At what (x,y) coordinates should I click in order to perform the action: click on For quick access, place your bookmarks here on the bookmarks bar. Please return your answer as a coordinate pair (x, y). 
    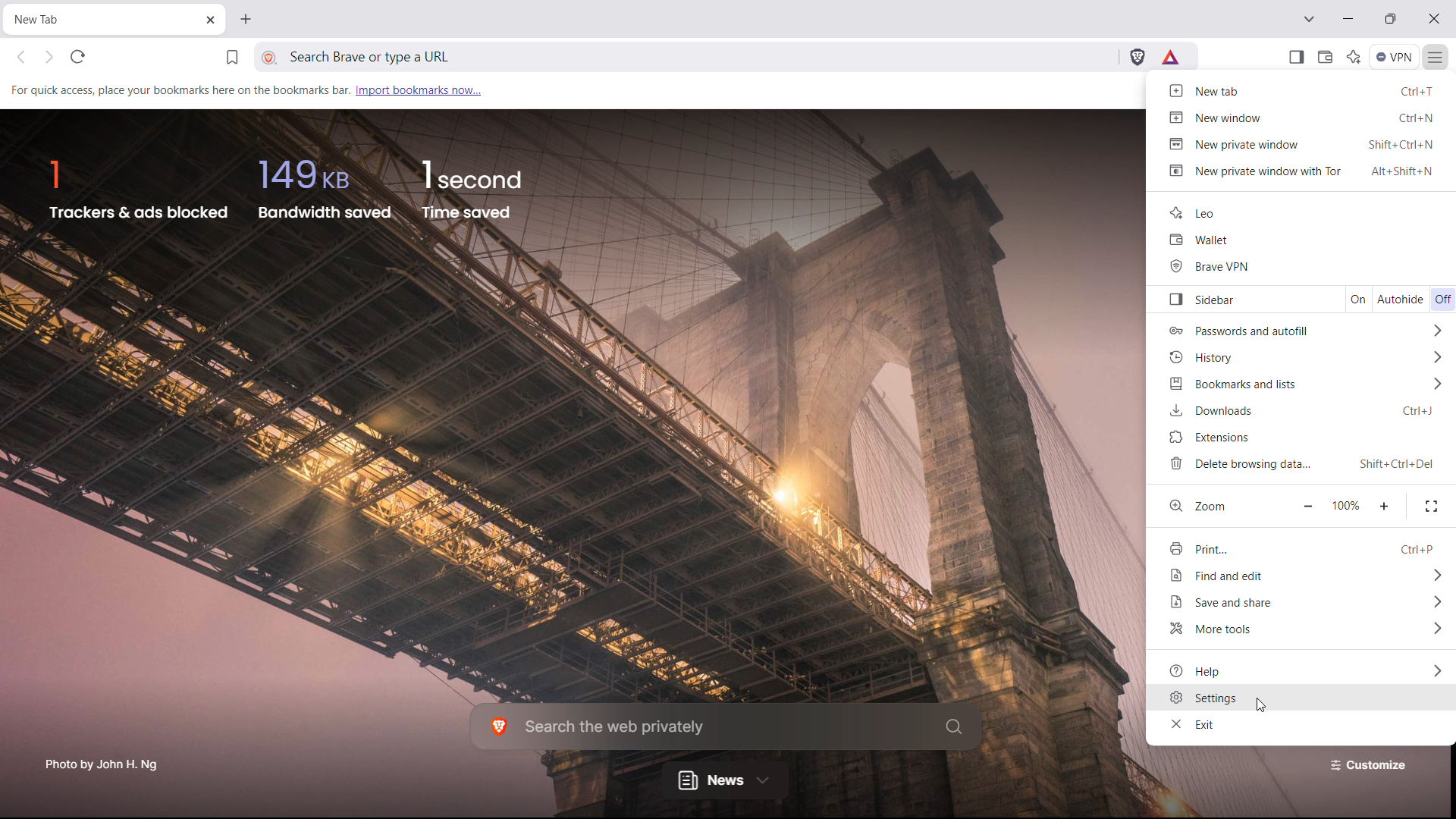
    Looking at the image, I should click on (180, 93).